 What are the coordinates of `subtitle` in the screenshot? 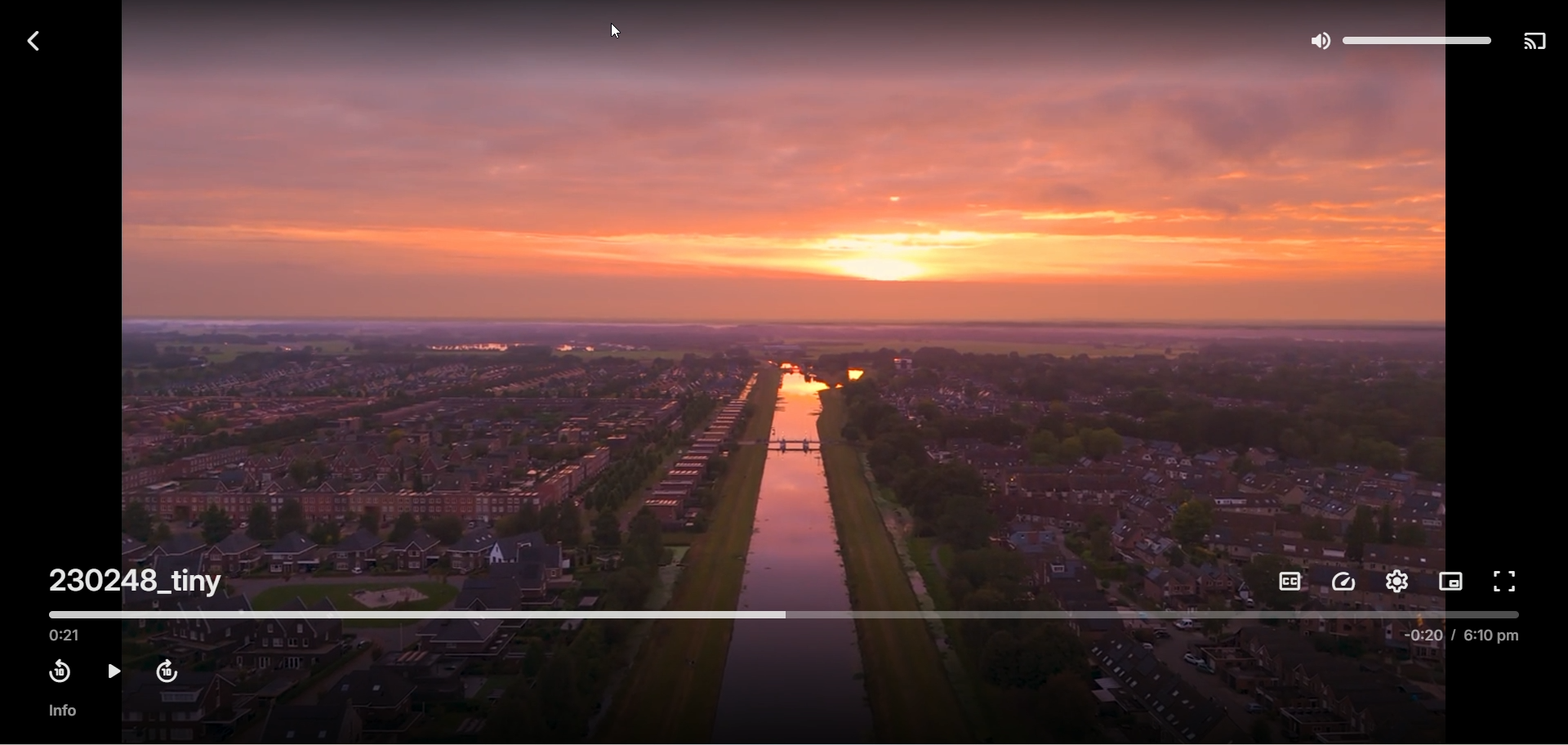 It's located at (1287, 582).